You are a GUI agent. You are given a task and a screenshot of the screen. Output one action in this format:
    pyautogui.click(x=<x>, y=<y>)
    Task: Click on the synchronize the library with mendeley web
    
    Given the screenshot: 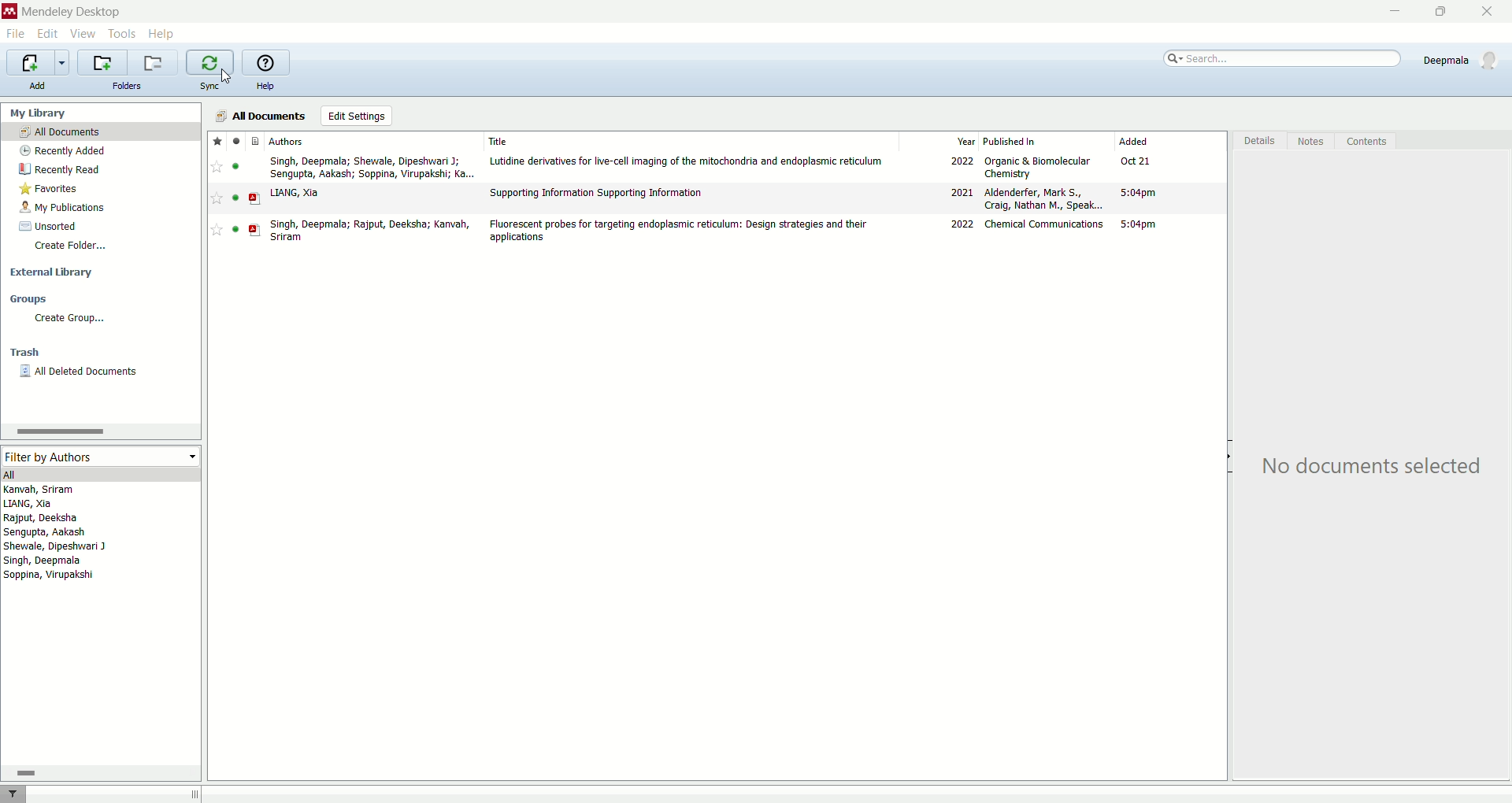 What is the action you would take?
    pyautogui.click(x=208, y=62)
    